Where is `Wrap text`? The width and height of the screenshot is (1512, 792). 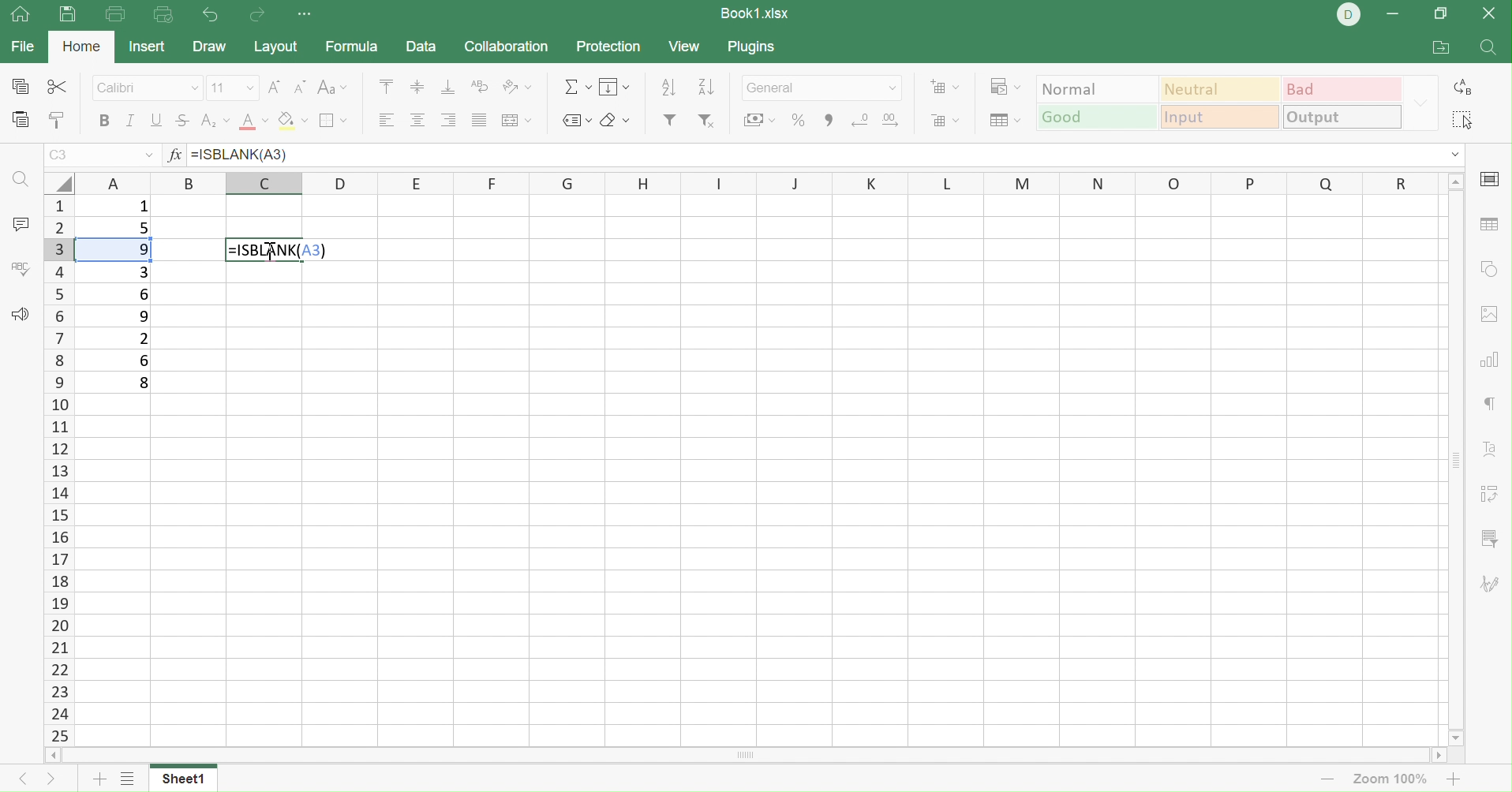
Wrap text is located at coordinates (478, 85).